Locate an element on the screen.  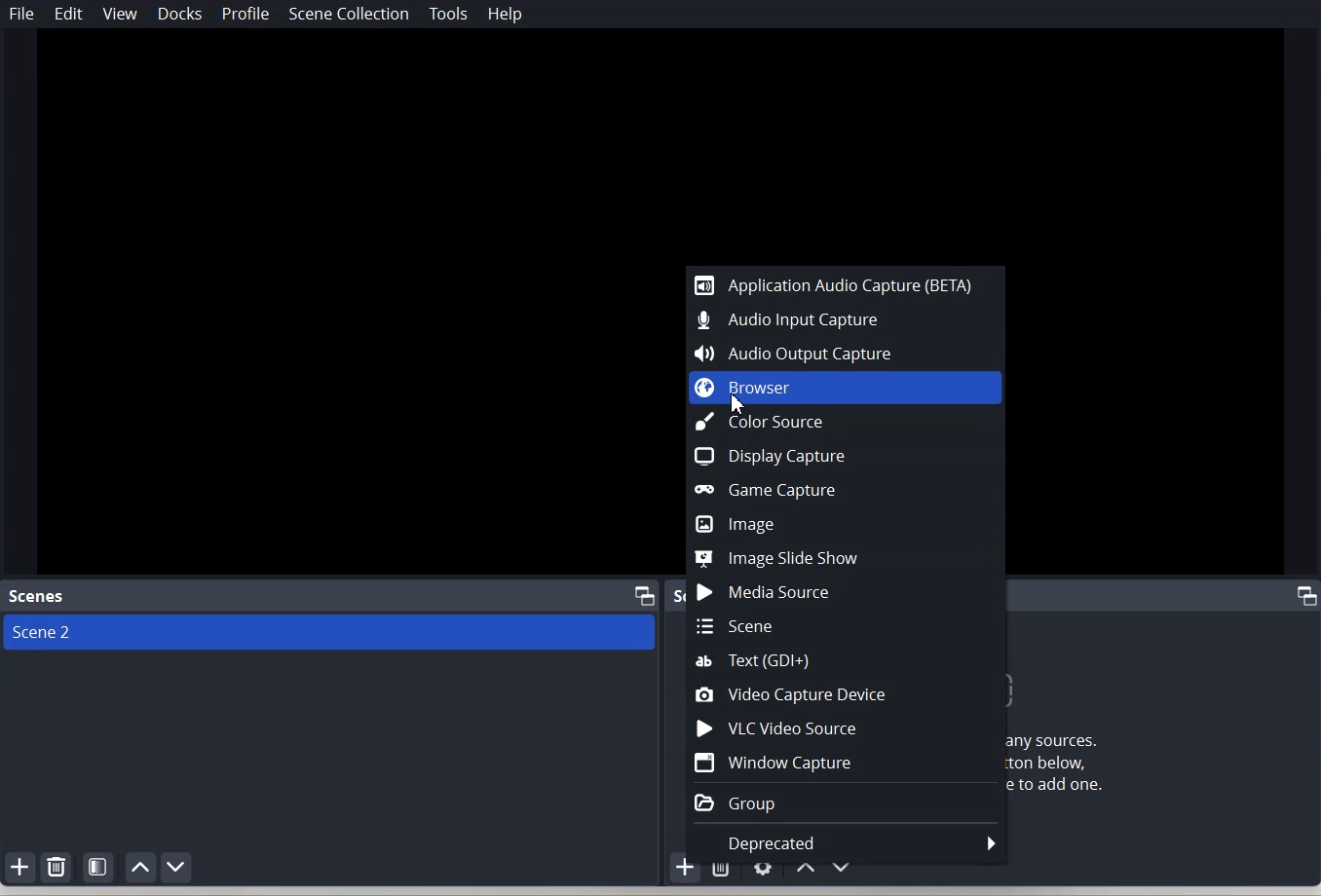
Text GDI is located at coordinates (847, 661).